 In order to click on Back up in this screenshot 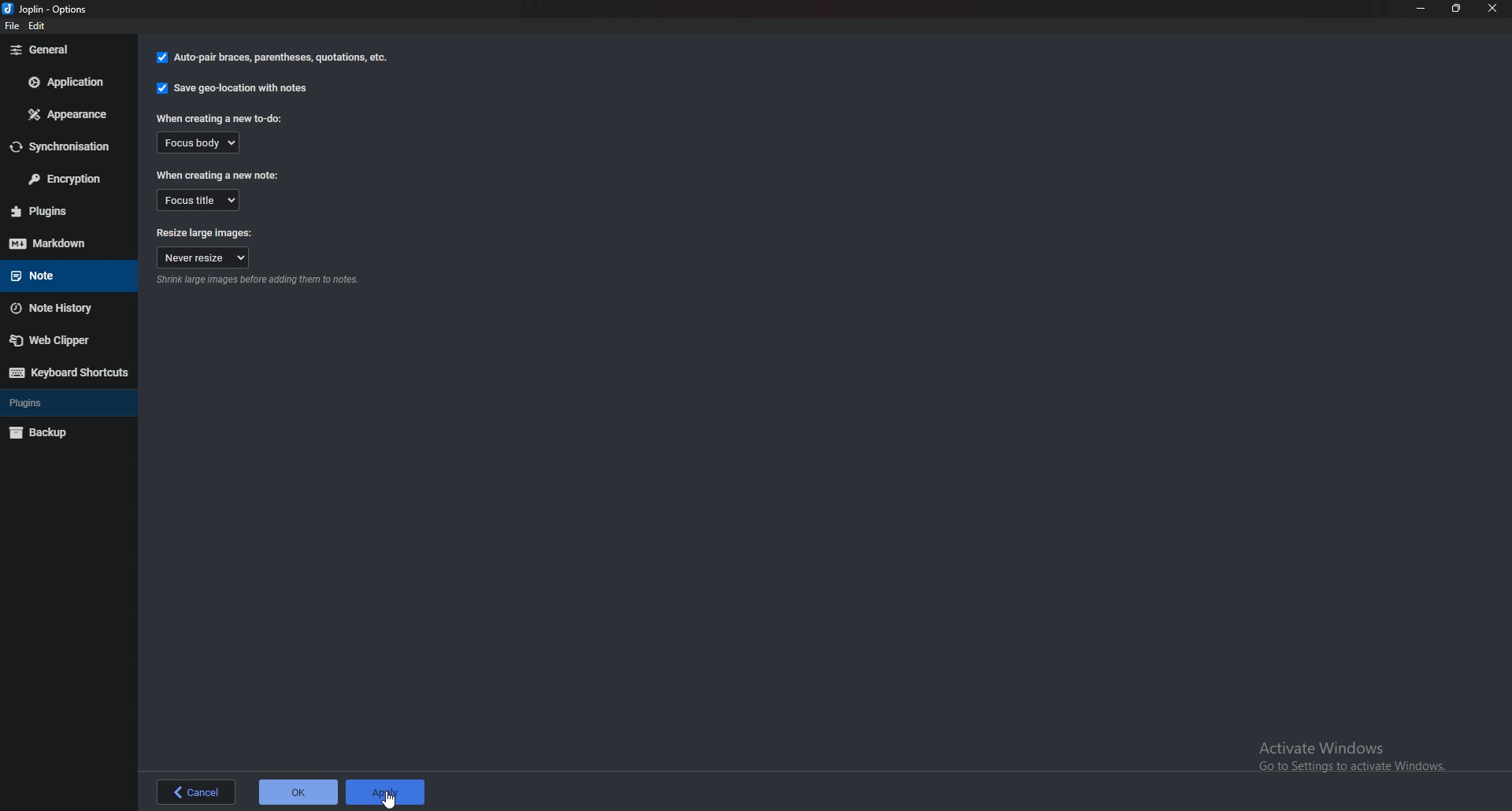, I will do `click(58, 431)`.